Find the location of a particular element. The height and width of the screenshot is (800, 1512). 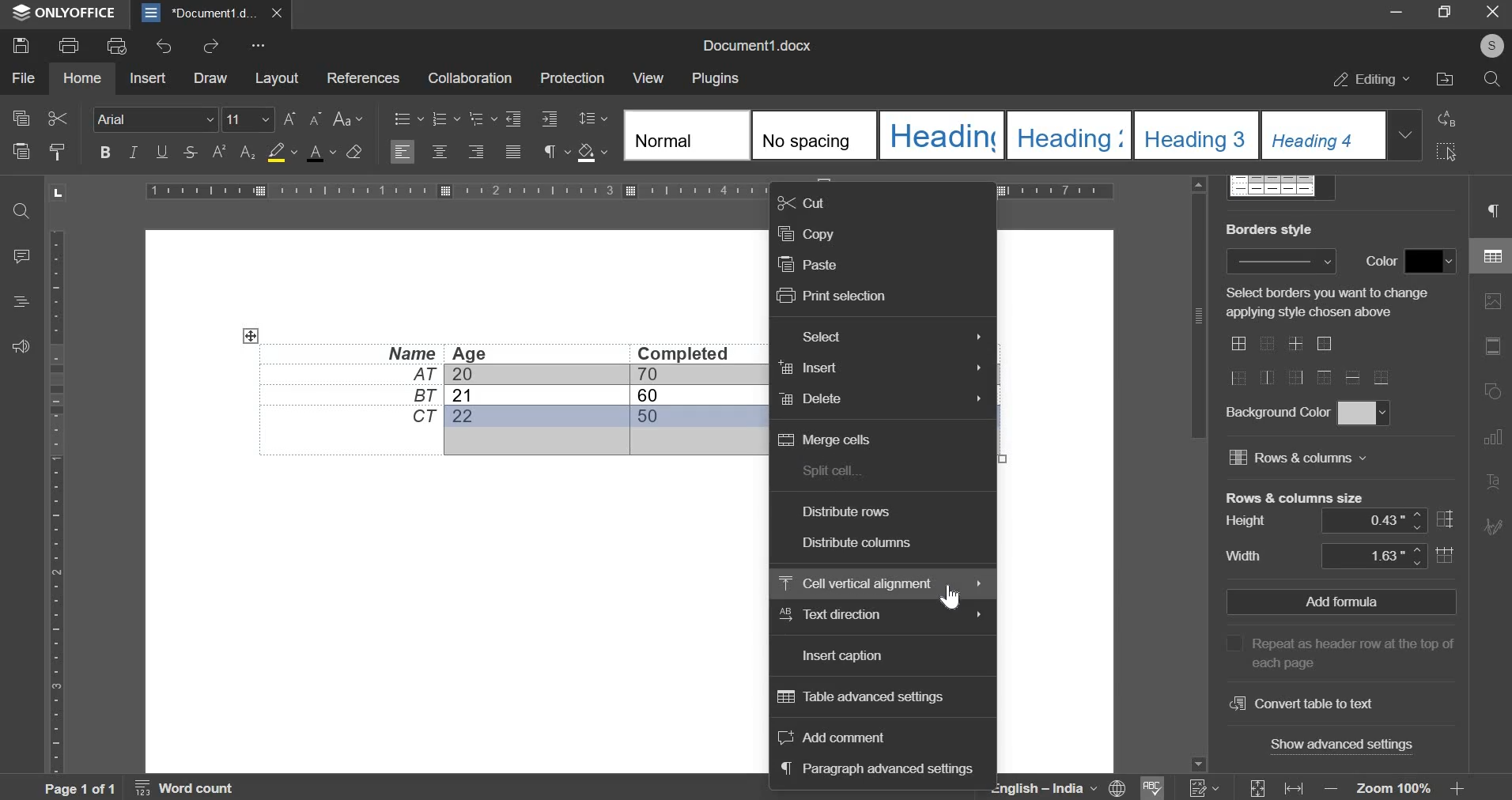

save is located at coordinates (20, 44).